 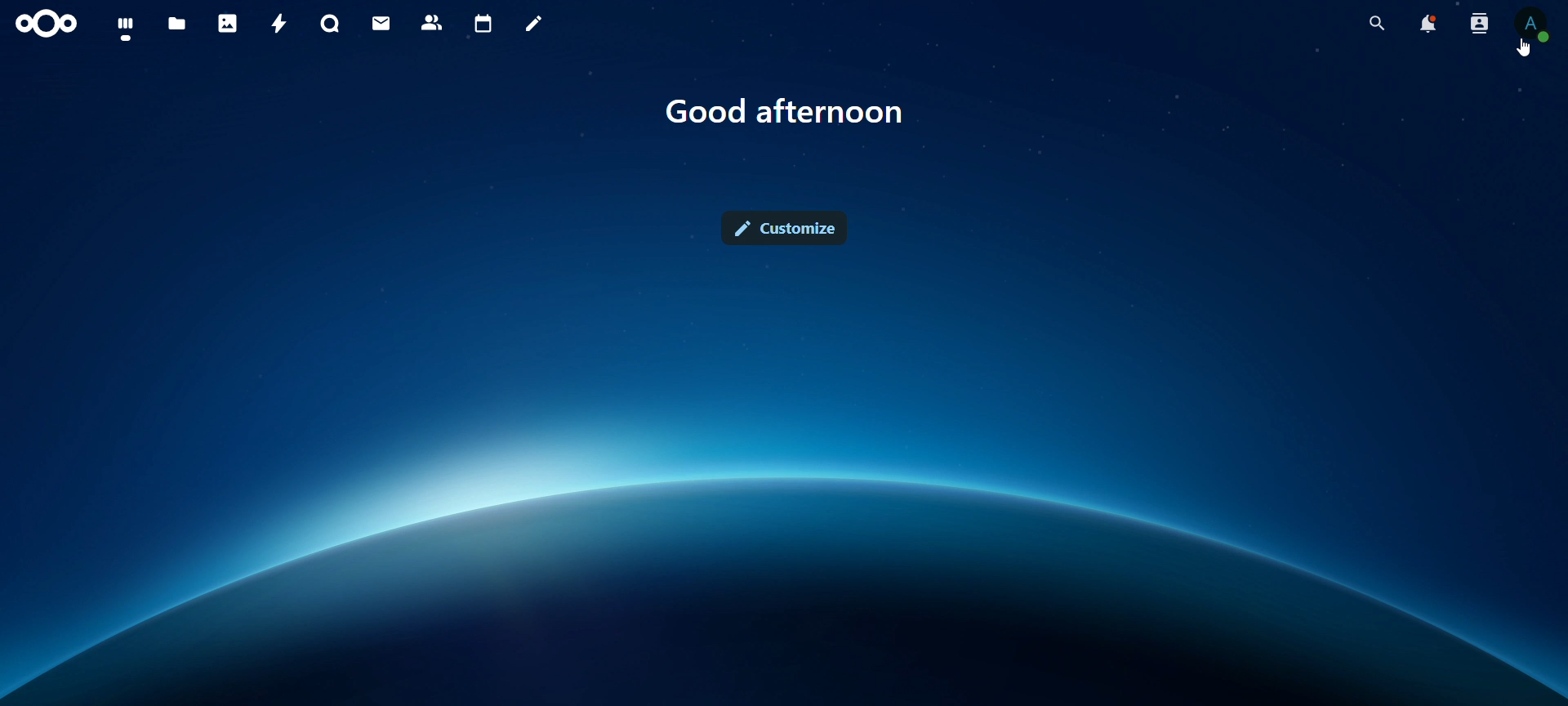 I want to click on view profile, so click(x=1533, y=27).